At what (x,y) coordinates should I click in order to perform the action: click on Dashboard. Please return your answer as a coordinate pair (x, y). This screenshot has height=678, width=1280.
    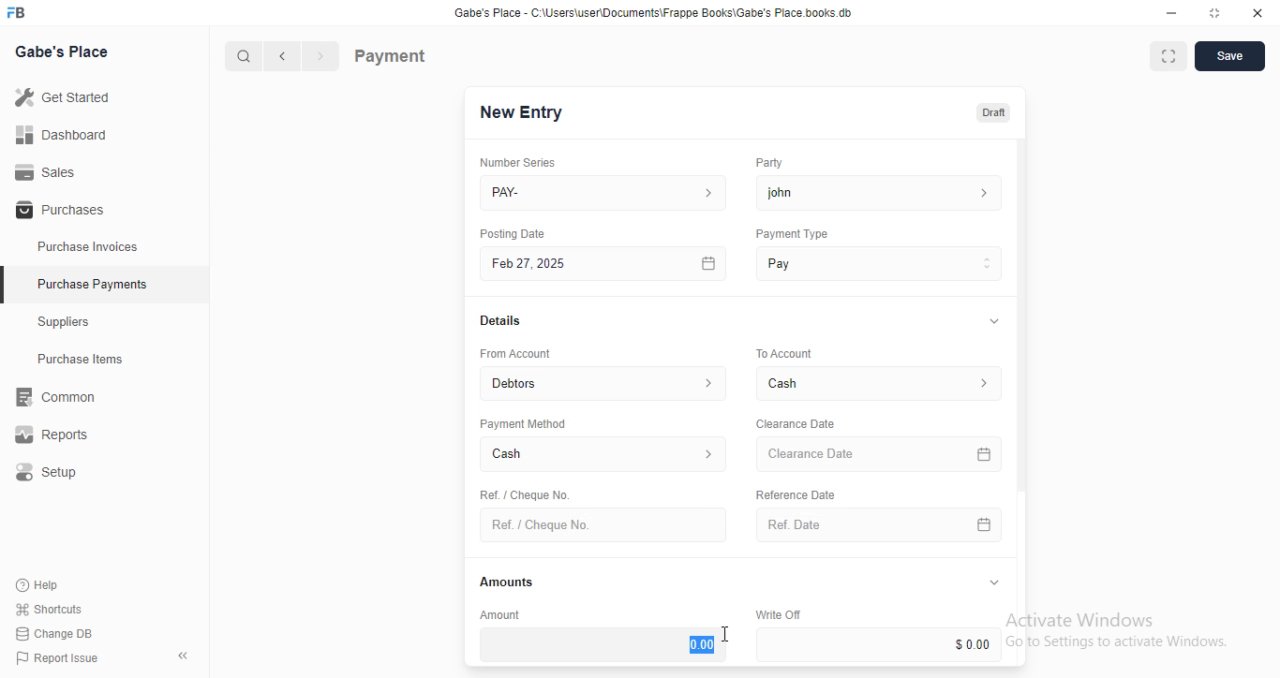
    Looking at the image, I should click on (61, 135).